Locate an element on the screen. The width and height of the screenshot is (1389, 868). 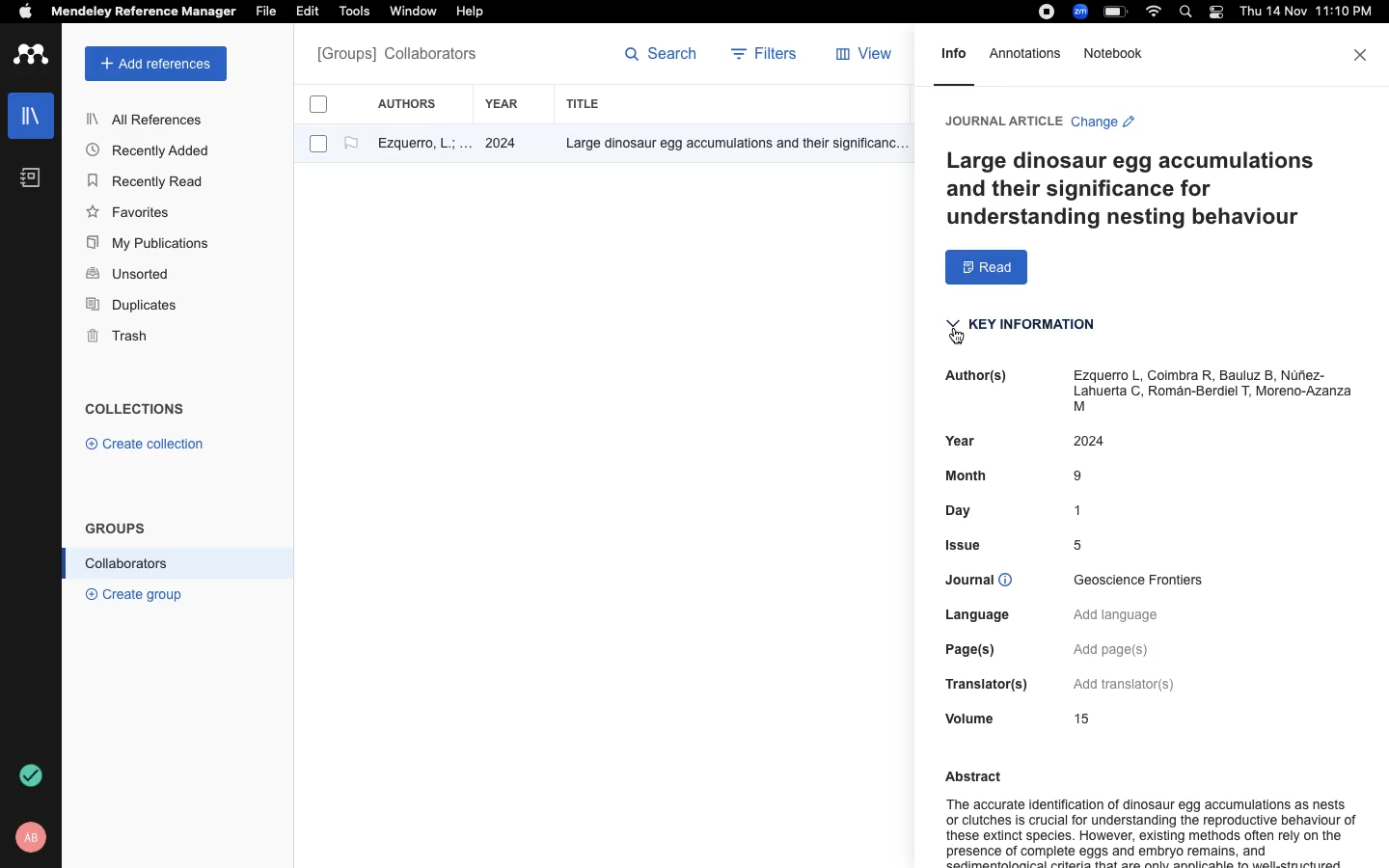
File is located at coordinates (265, 10).